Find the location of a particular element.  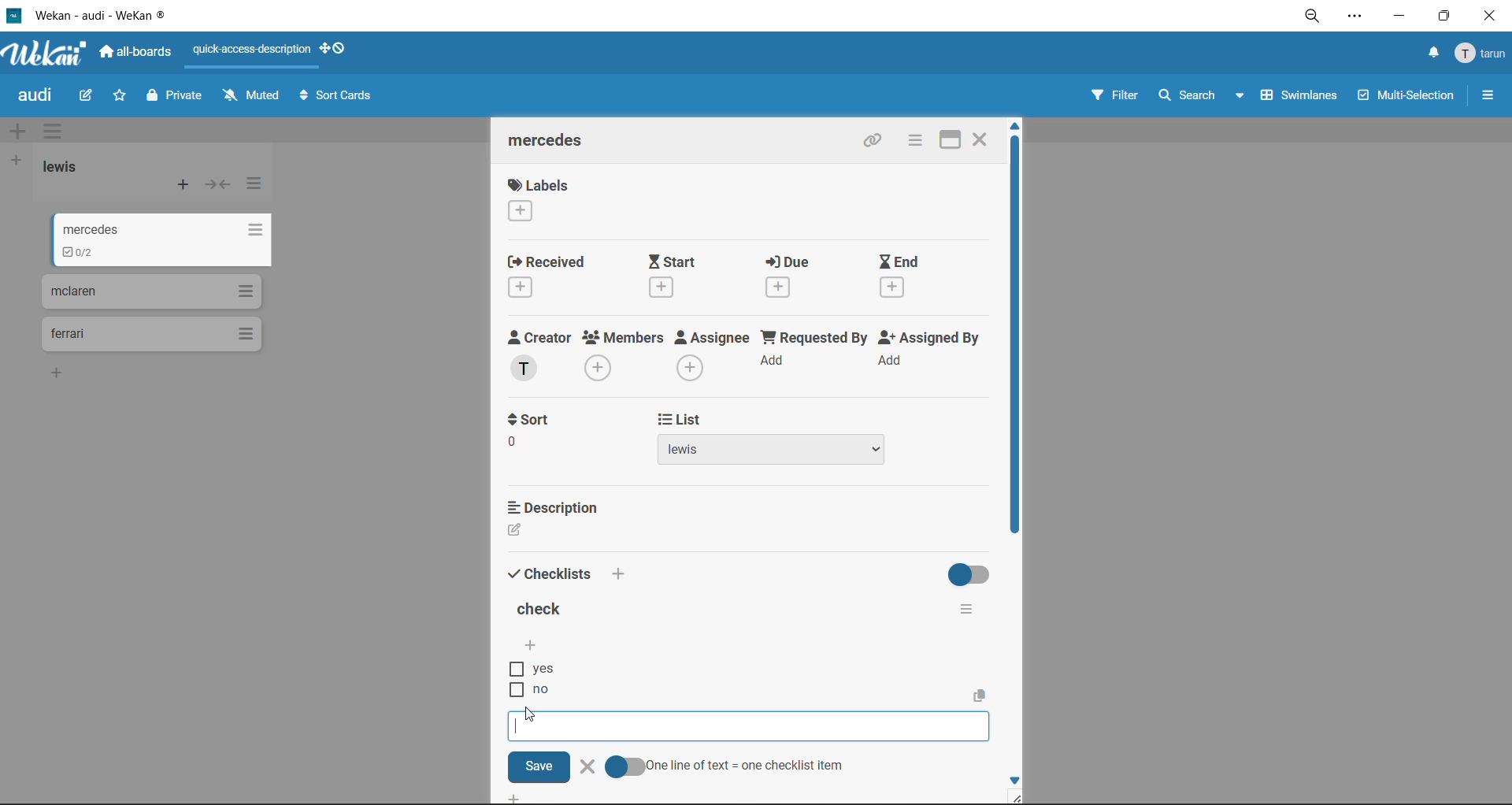

checklist actions is located at coordinates (977, 612).